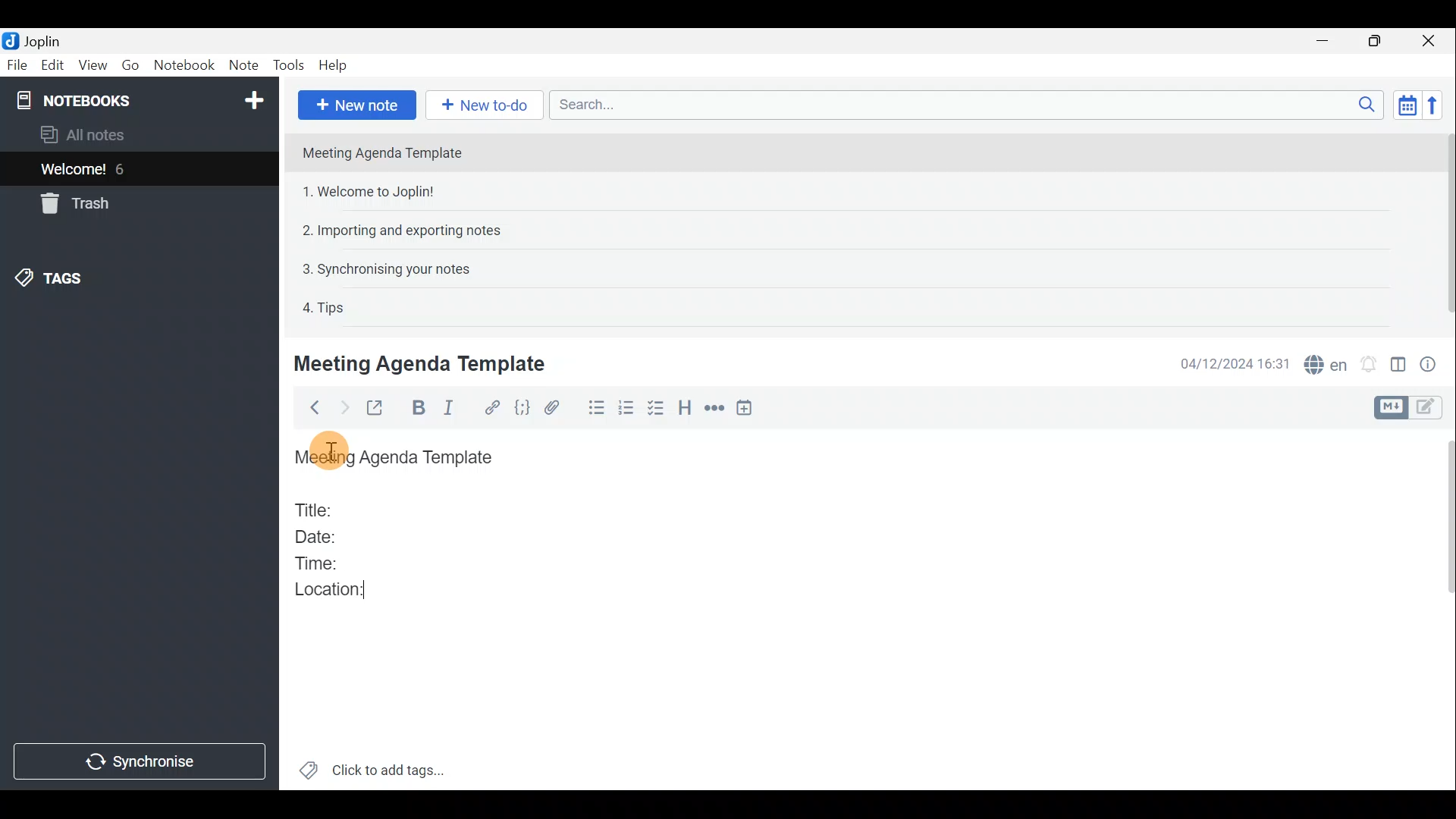 The width and height of the screenshot is (1456, 819). Describe the element at coordinates (716, 410) in the screenshot. I see `Horizontal rule` at that location.